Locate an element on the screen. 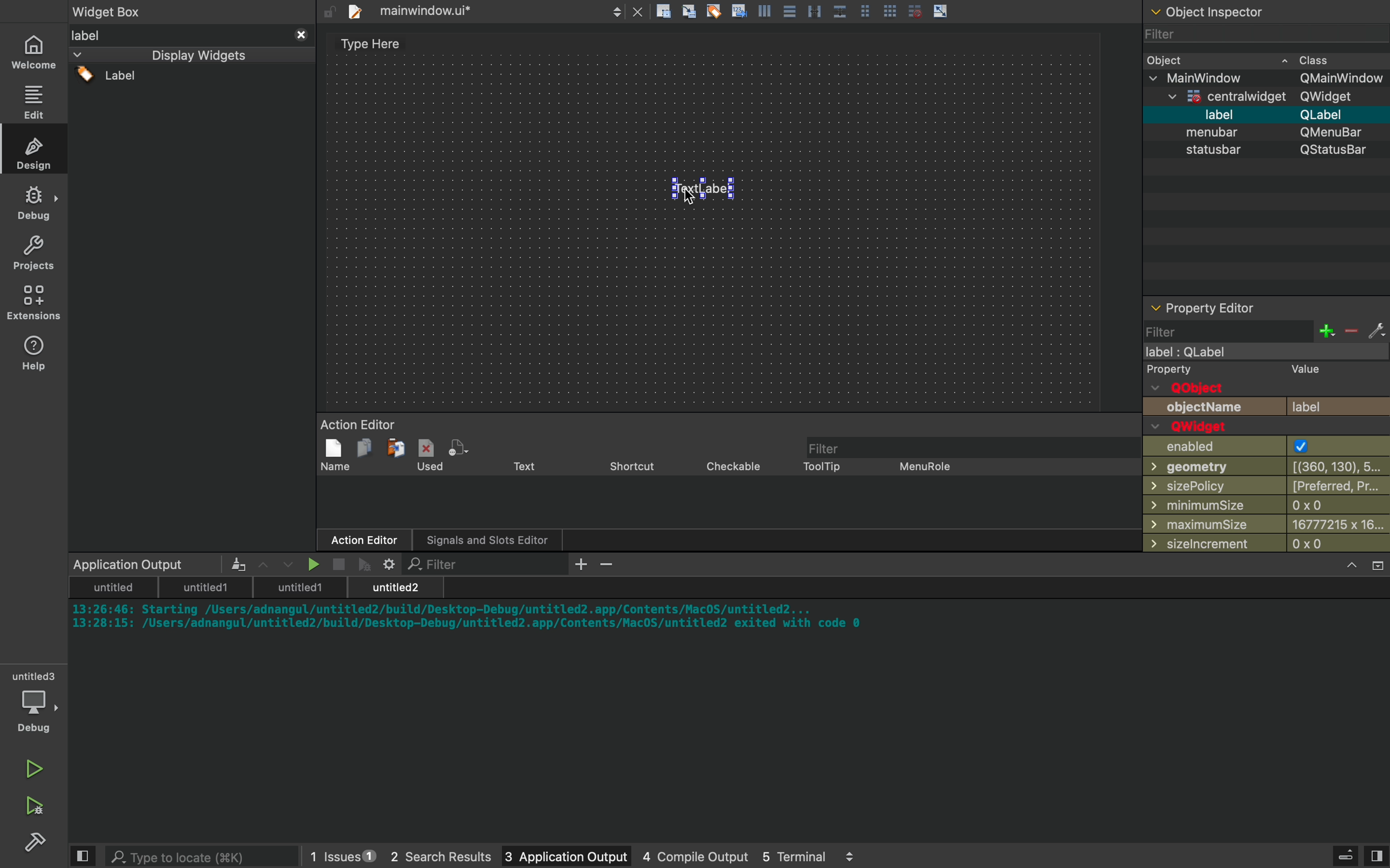  edit is located at coordinates (36, 101).